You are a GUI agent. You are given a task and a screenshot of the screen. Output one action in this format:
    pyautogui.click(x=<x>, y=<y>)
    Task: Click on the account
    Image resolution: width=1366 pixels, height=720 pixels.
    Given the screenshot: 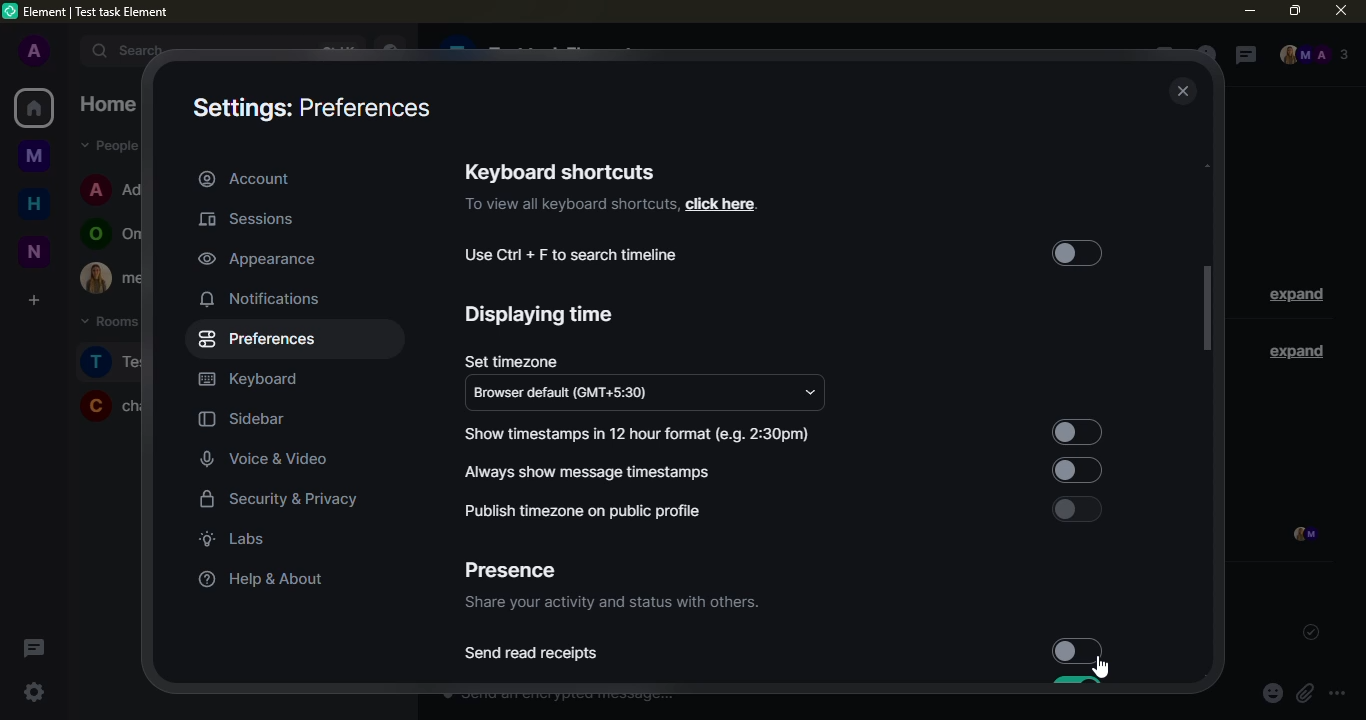 What is the action you would take?
    pyautogui.click(x=245, y=178)
    